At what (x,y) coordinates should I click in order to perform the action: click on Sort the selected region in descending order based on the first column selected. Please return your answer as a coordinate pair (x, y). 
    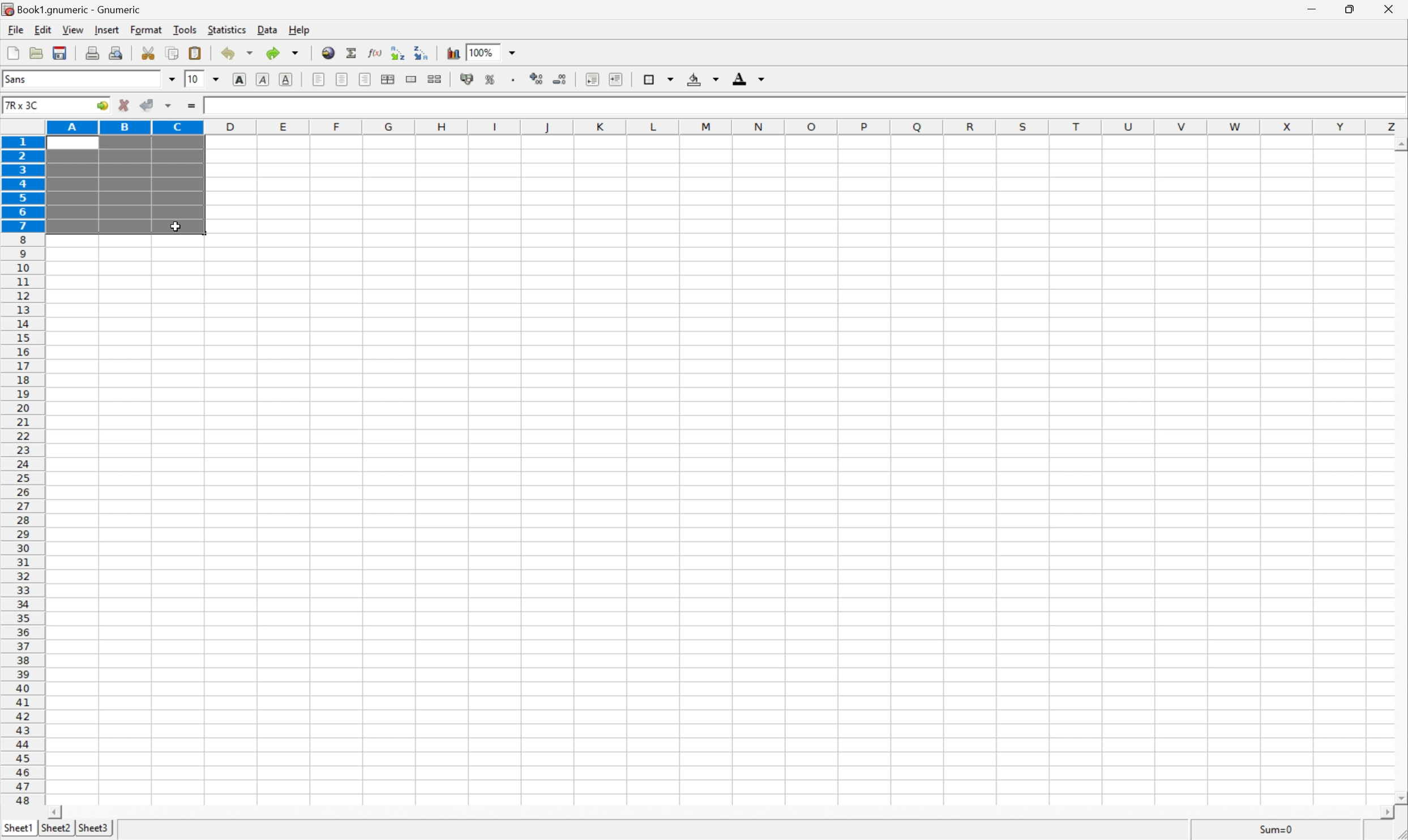
    Looking at the image, I should click on (422, 53).